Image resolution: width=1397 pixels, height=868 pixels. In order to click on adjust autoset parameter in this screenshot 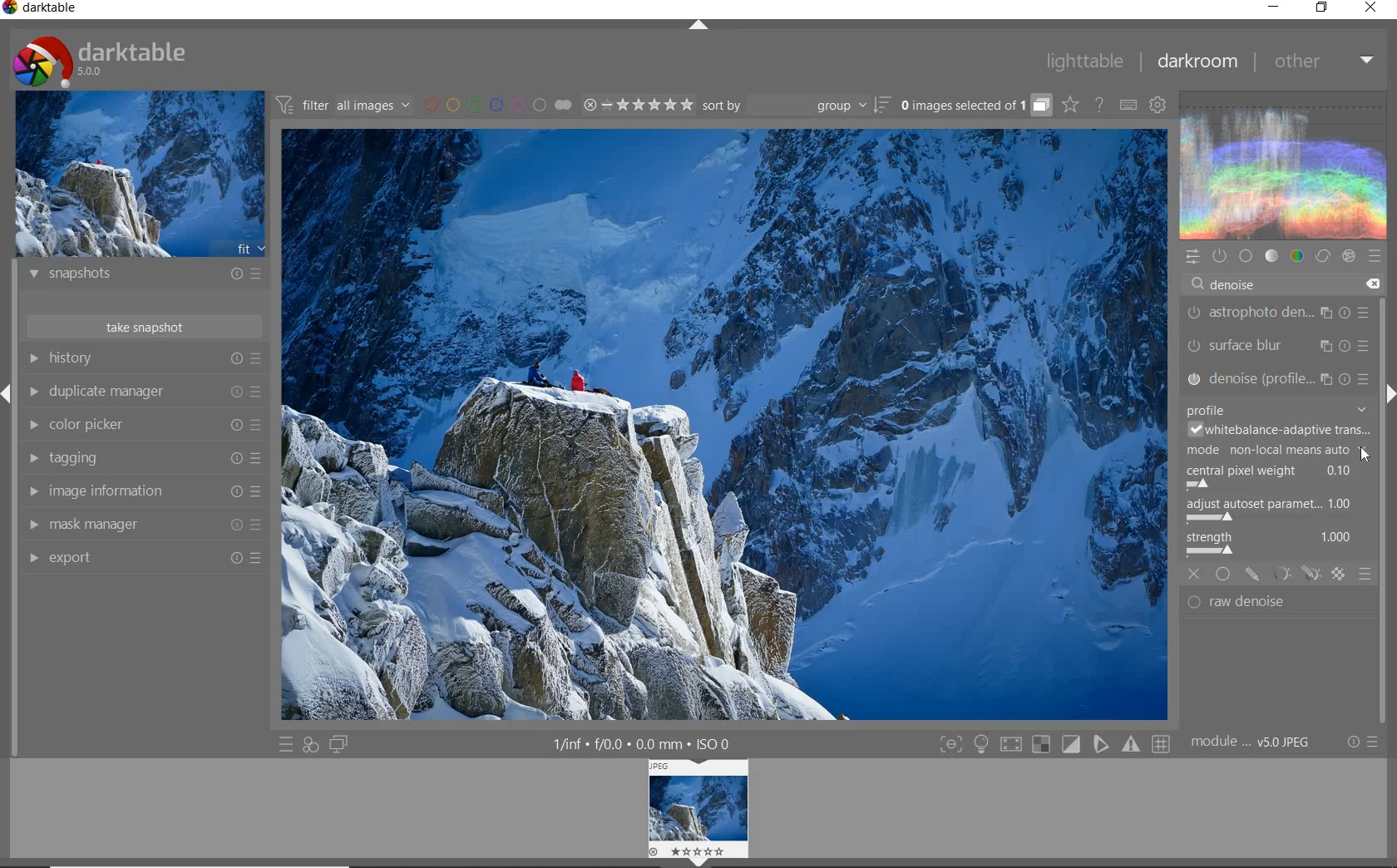, I will do `click(1276, 511)`.